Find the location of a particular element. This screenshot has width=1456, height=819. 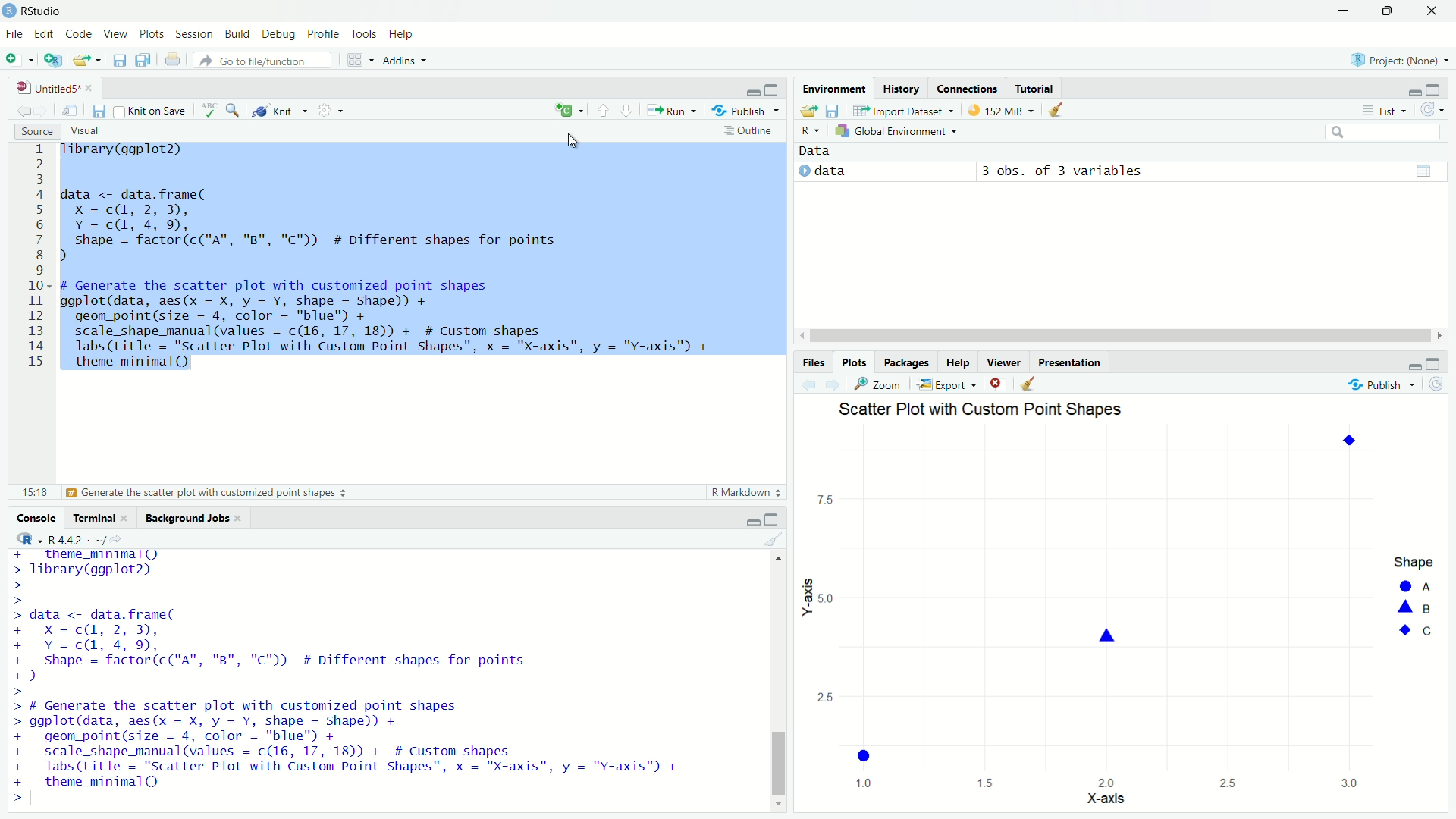

R Markdown is located at coordinates (747, 492).